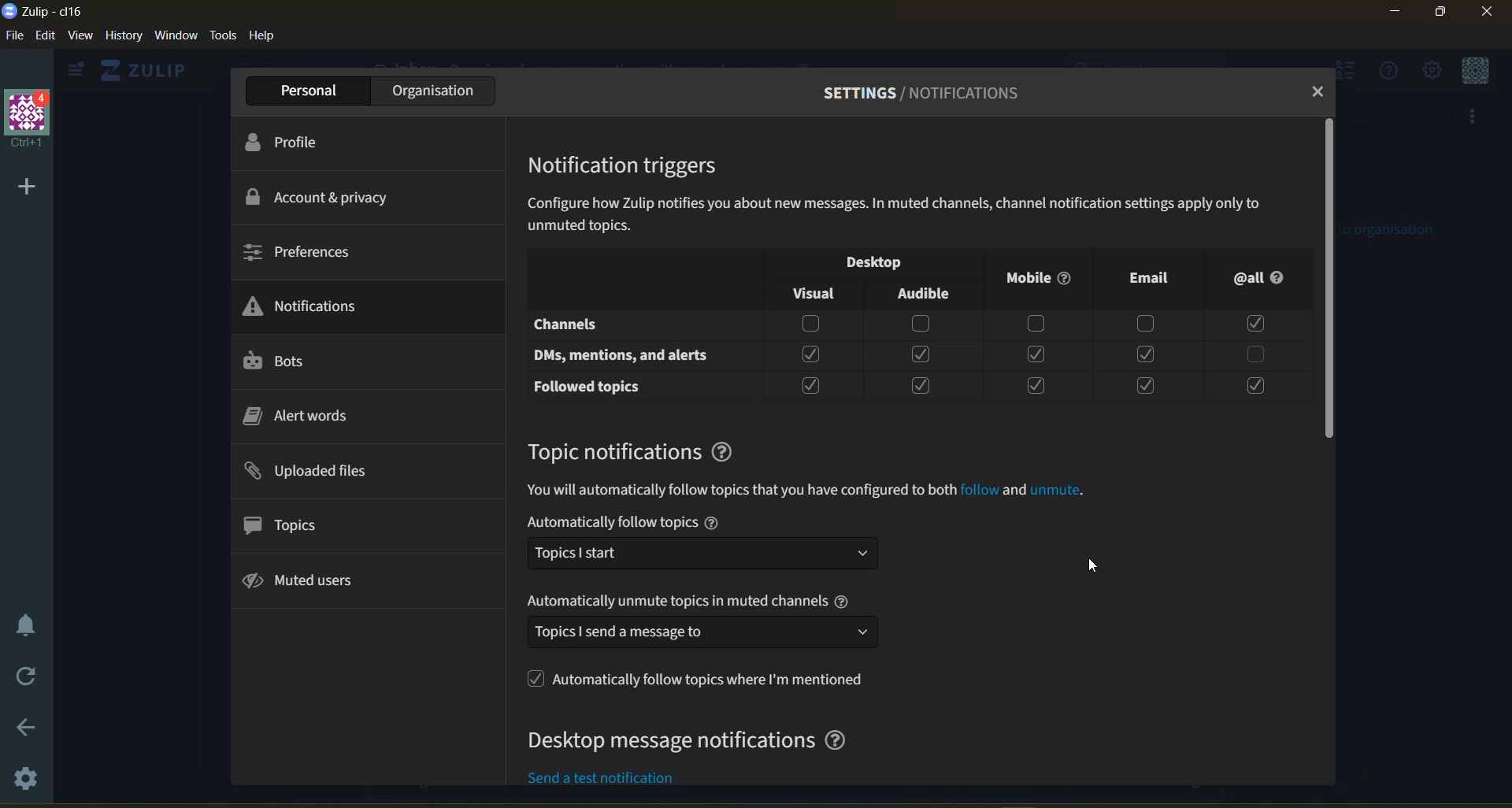 This screenshot has height=808, width=1512. What do you see at coordinates (1036, 387) in the screenshot?
I see `Checkbox` at bounding box center [1036, 387].